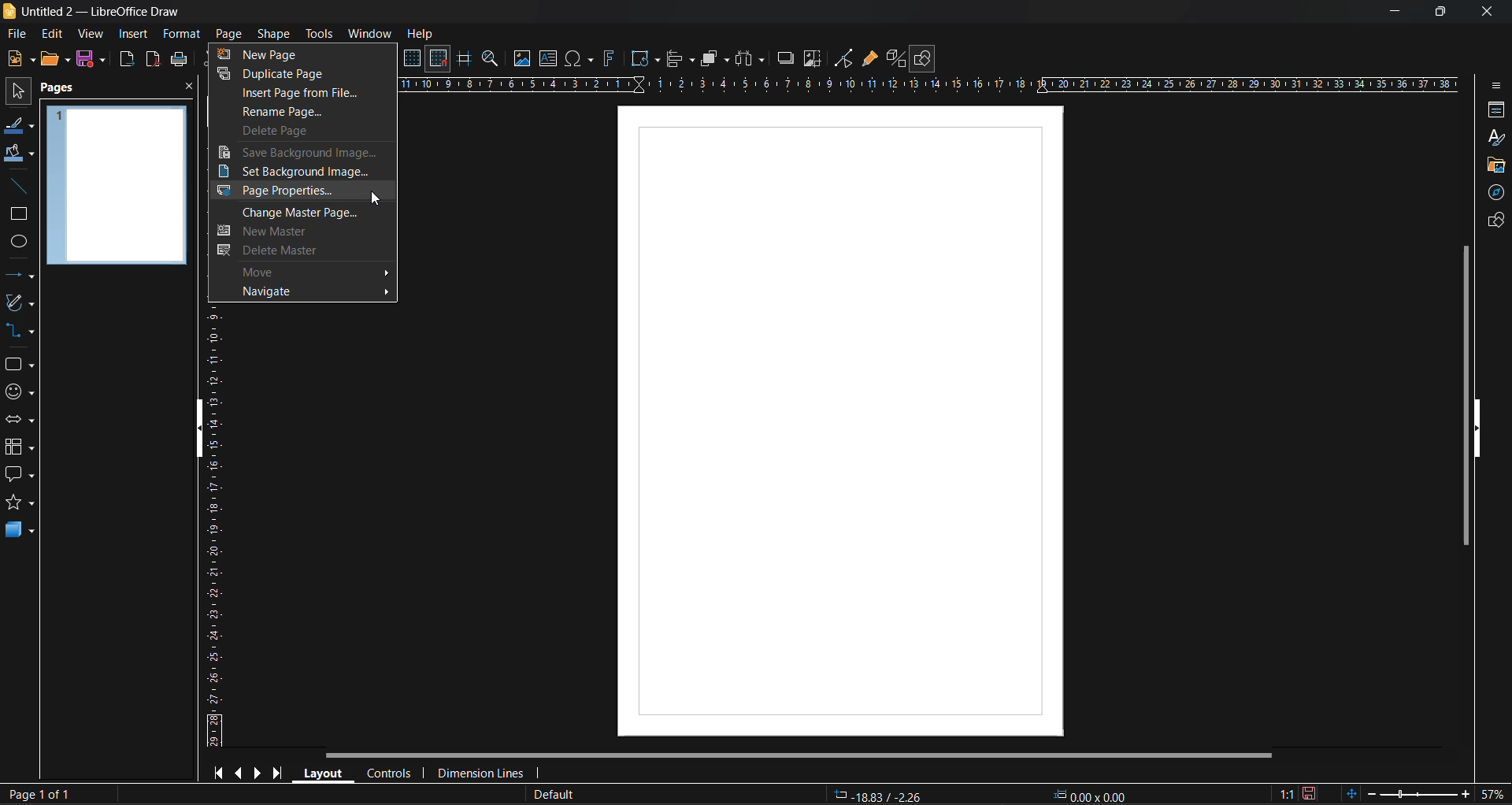 The image size is (1512, 805). Describe the element at coordinates (320, 291) in the screenshot. I see `navigate` at that location.